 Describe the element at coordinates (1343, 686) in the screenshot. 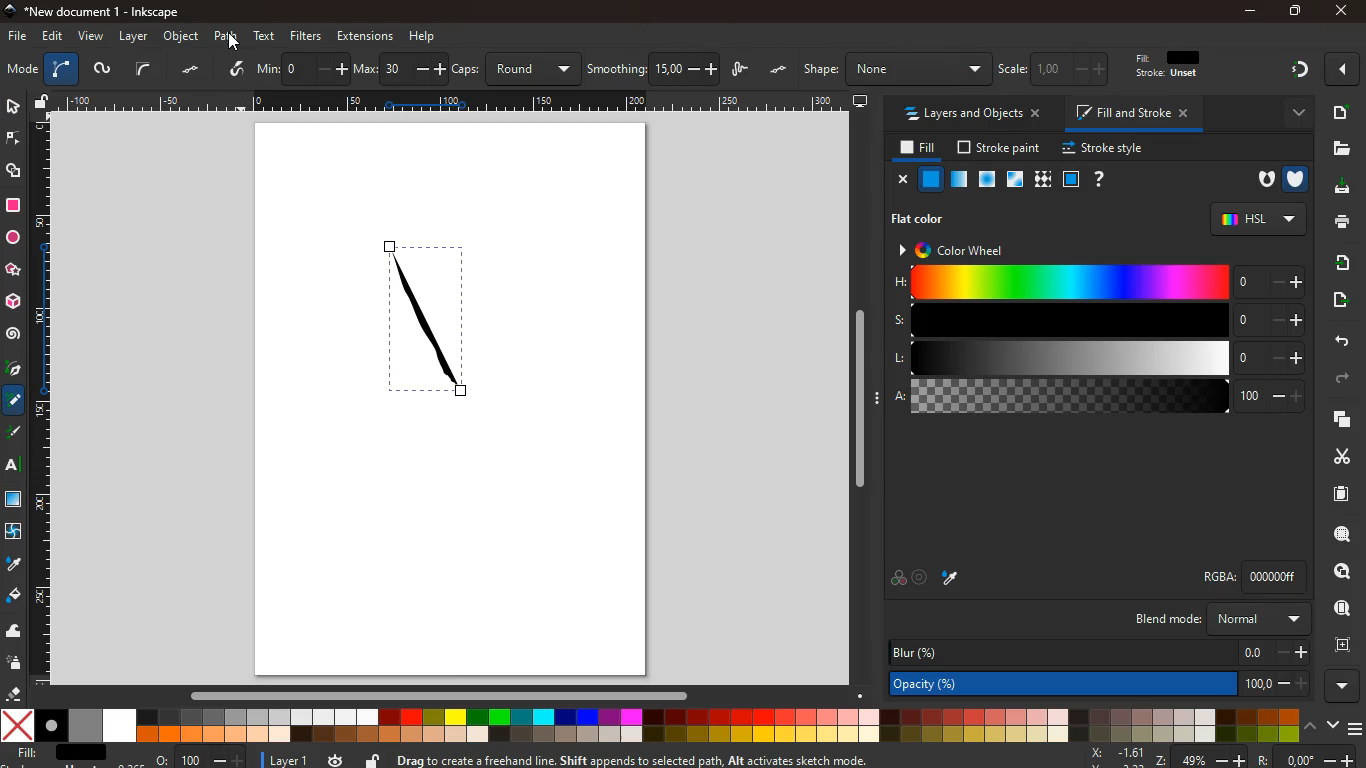

I see `more` at that location.